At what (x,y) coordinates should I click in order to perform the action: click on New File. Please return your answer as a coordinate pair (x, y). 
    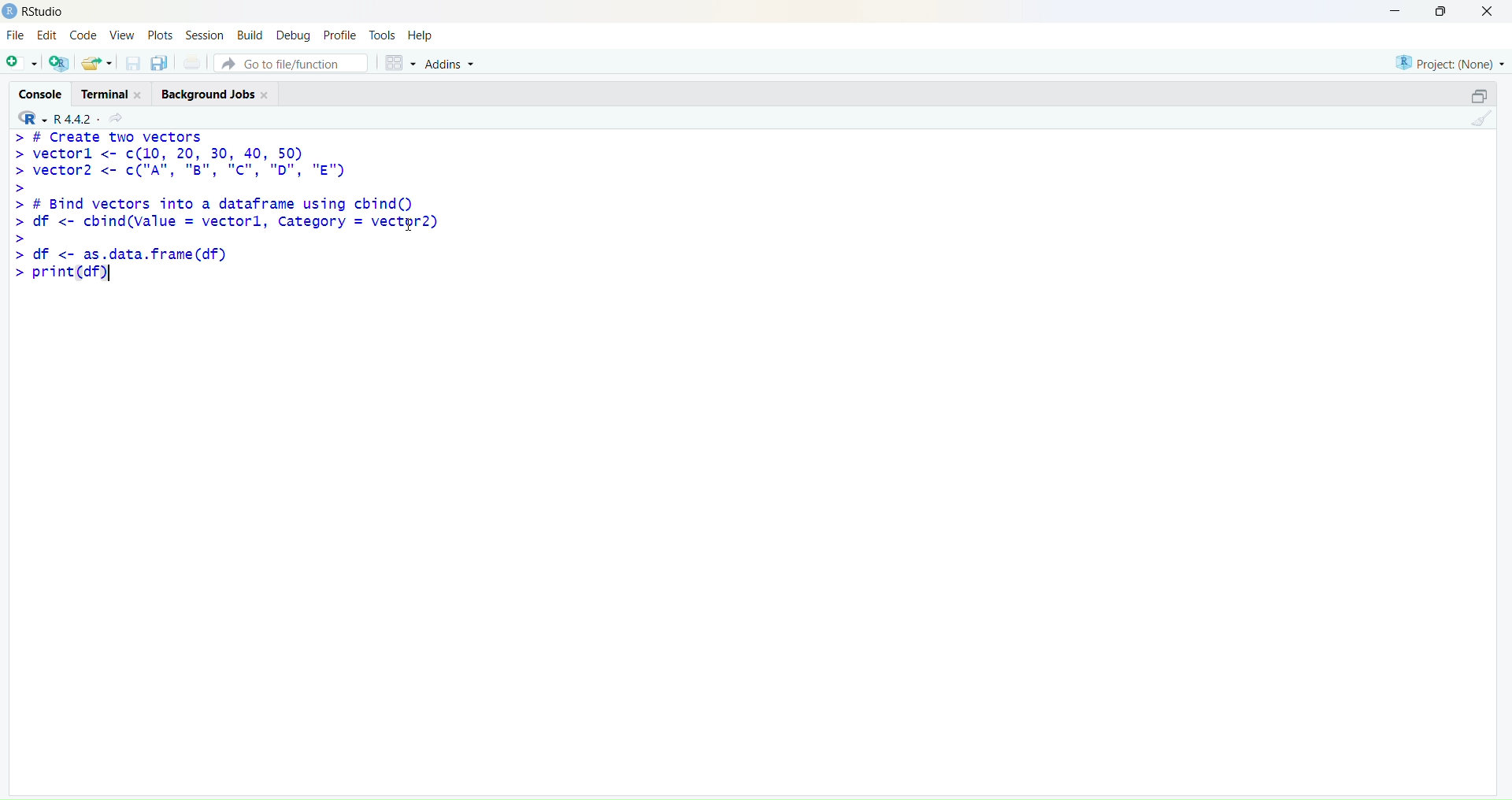
    Looking at the image, I should click on (21, 64).